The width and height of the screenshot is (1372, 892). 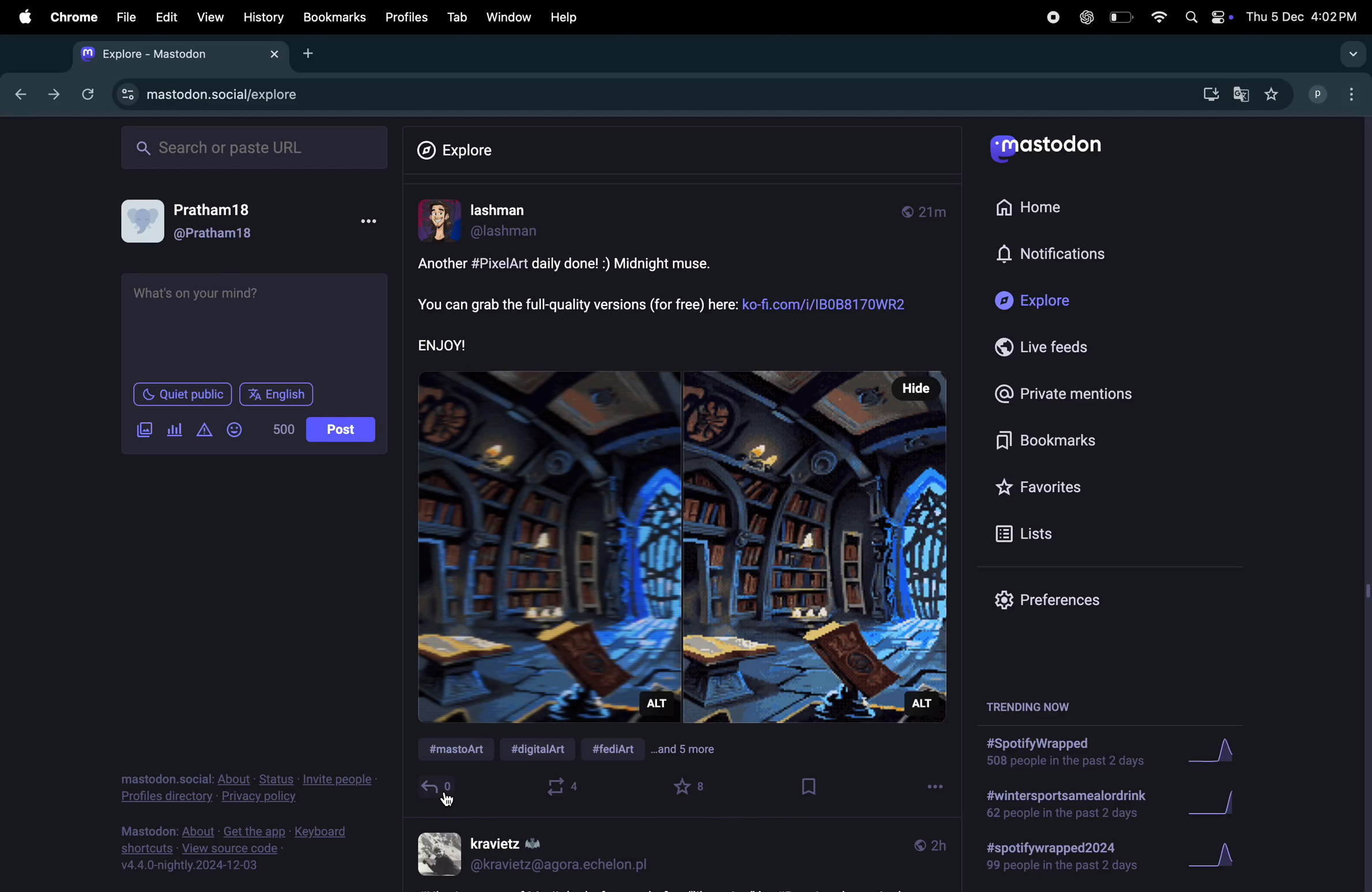 What do you see at coordinates (455, 17) in the screenshot?
I see `tab` at bounding box center [455, 17].